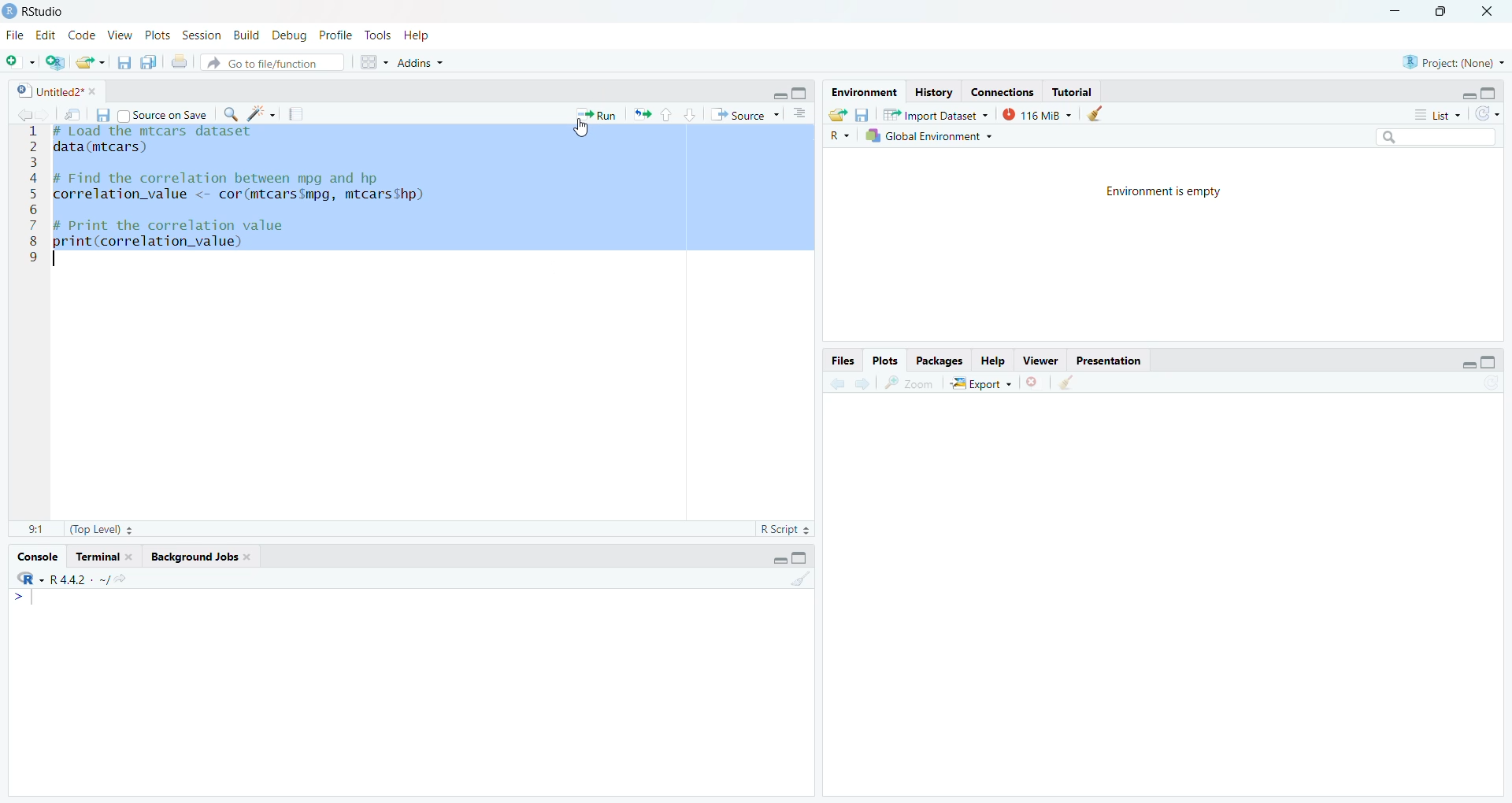  Describe the element at coordinates (43, 37) in the screenshot. I see `Edit` at that location.